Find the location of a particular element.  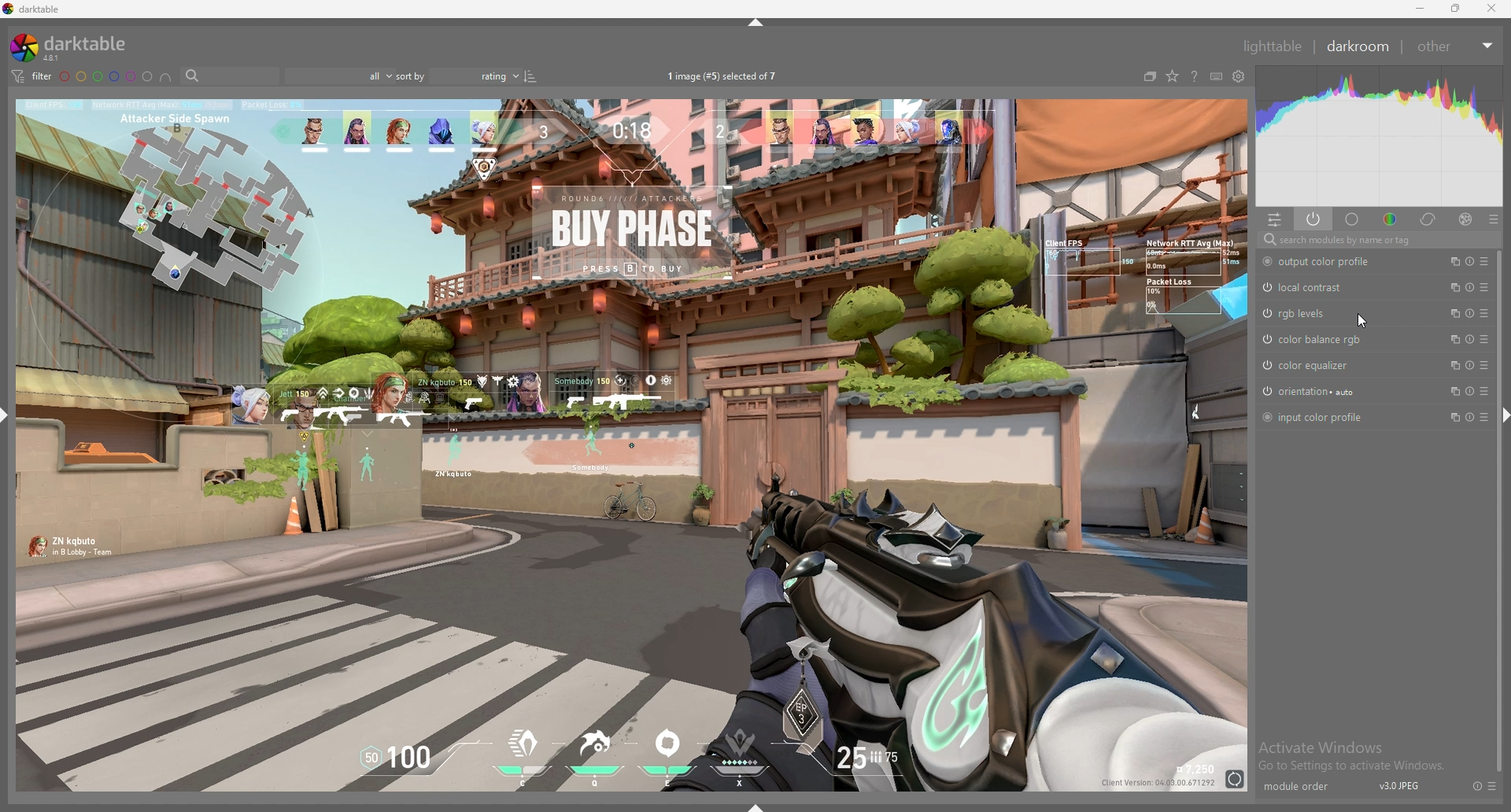

presets is located at coordinates (1485, 391).